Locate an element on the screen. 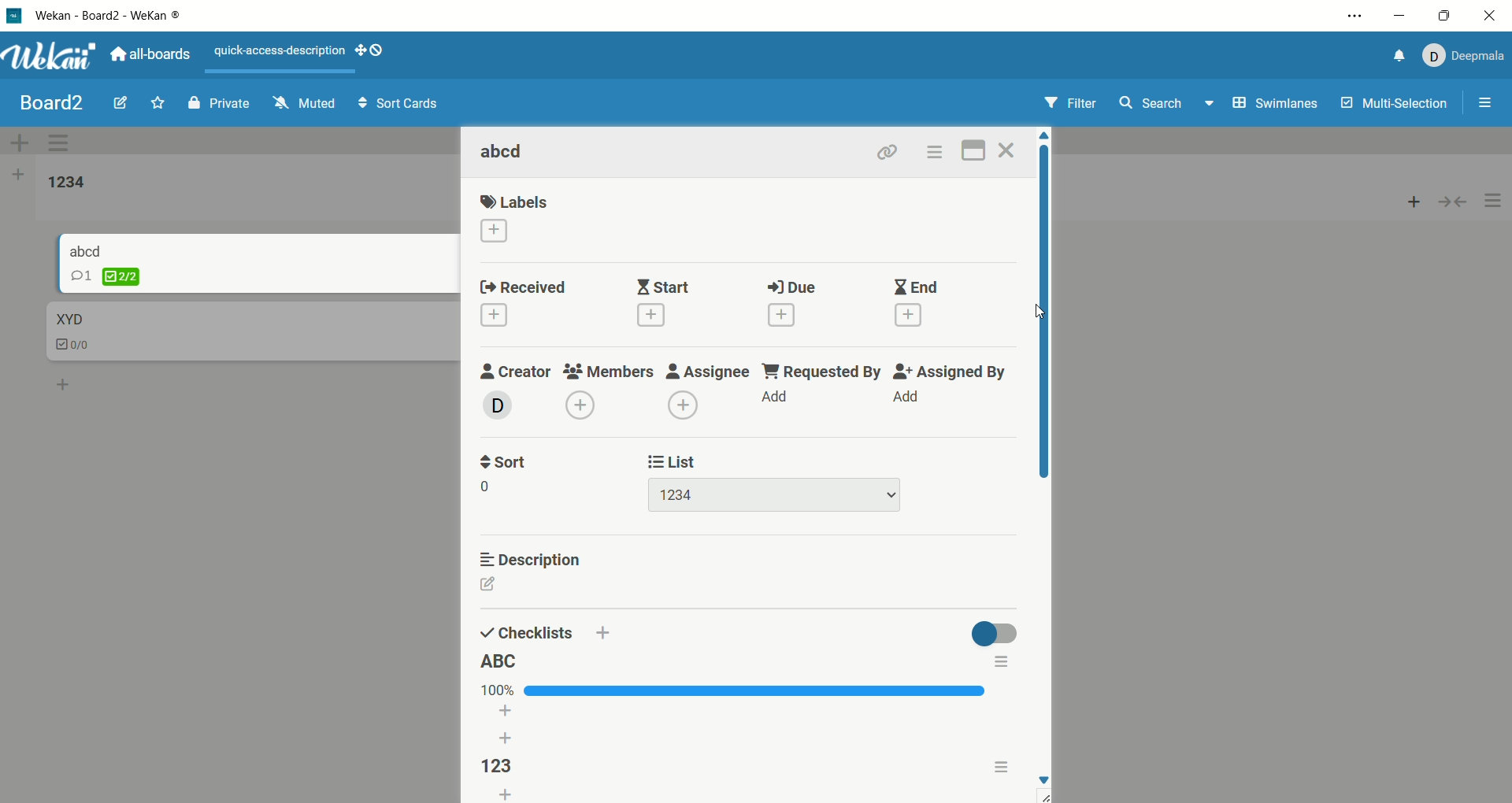 The width and height of the screenshot is (1512, 803). multi-selection is located at coordinates (1396, 104).